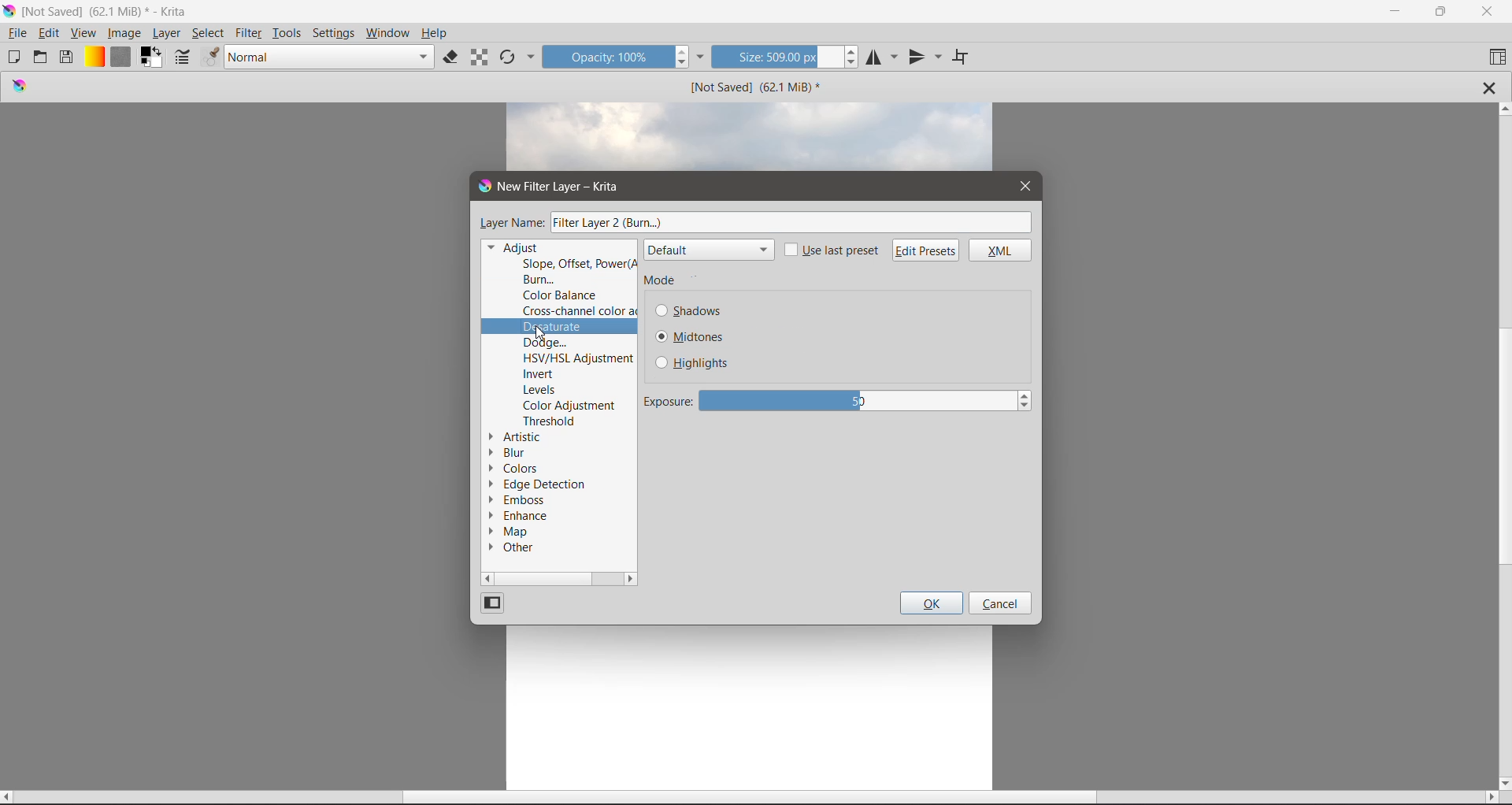  Describe the element at coordinates (696, 365) in the screenshot. I see `Highlights` at that location.